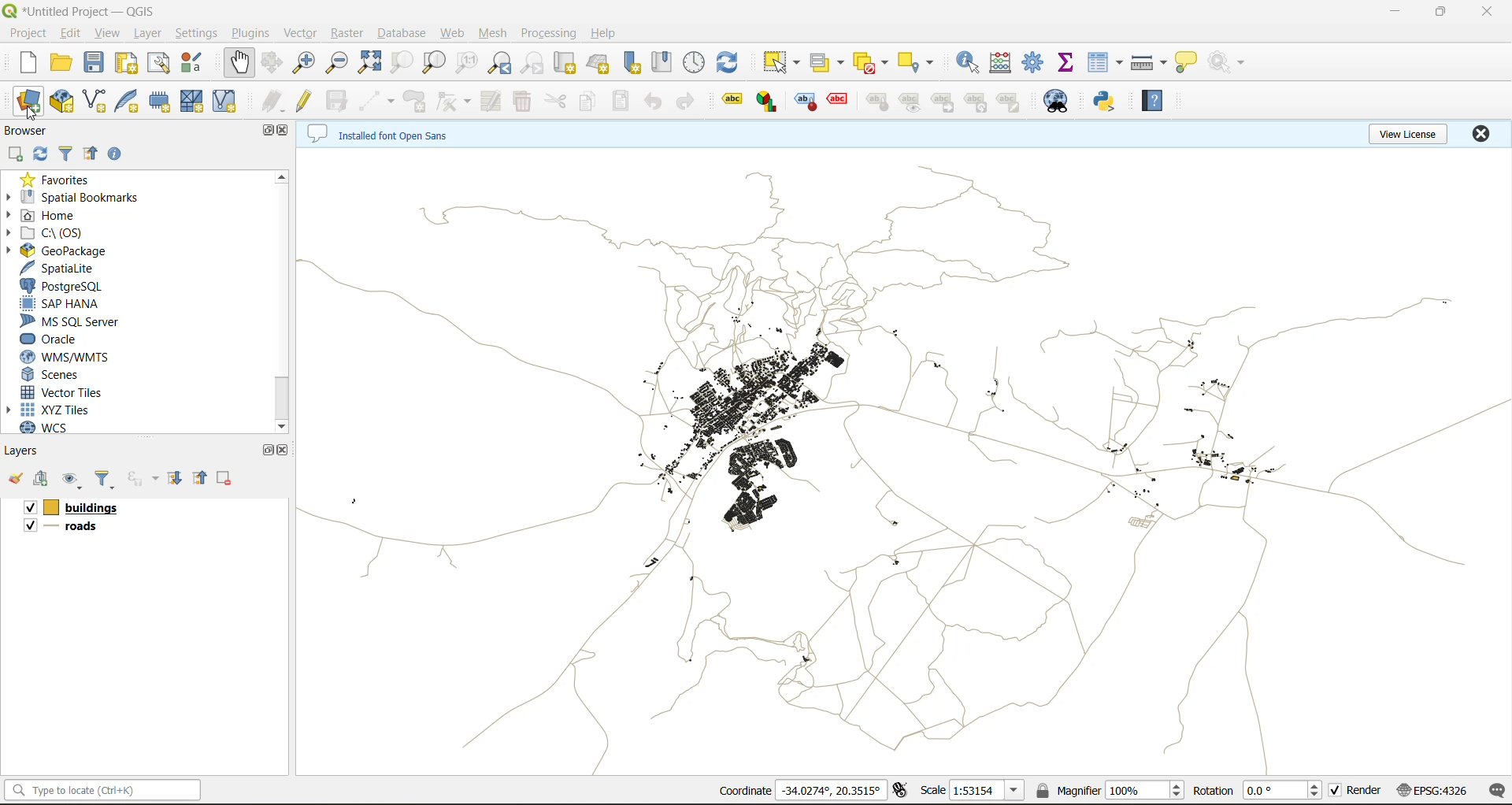 This screenshot has width=1512, height=805. What do you see at coordinates (695, 63) in the screenshot?
I see `control panel` at bounding box center [695, 63].